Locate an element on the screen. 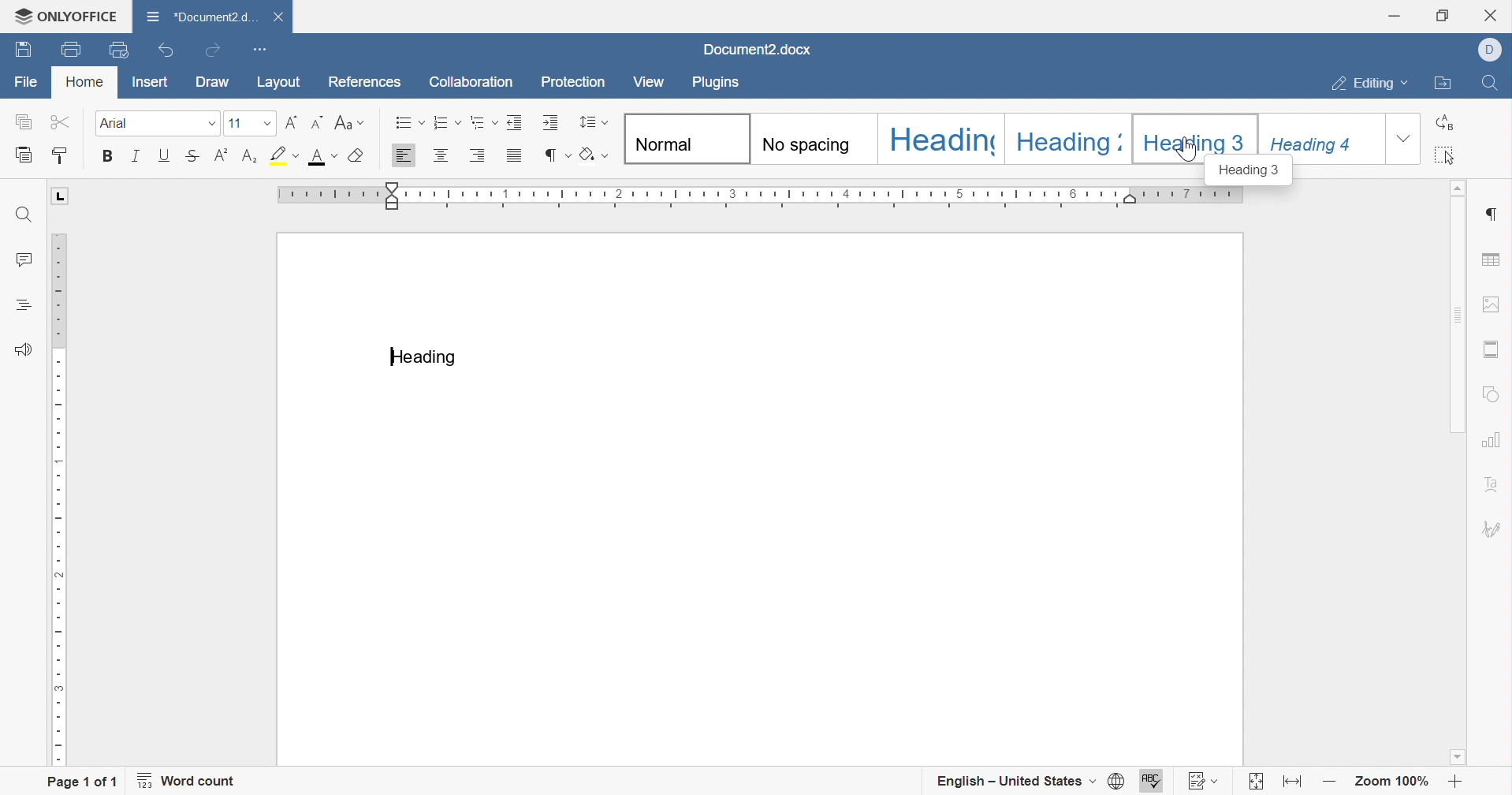 This screenshot has height=795, width=1512. Numbering is located at coordinates (441, 125).